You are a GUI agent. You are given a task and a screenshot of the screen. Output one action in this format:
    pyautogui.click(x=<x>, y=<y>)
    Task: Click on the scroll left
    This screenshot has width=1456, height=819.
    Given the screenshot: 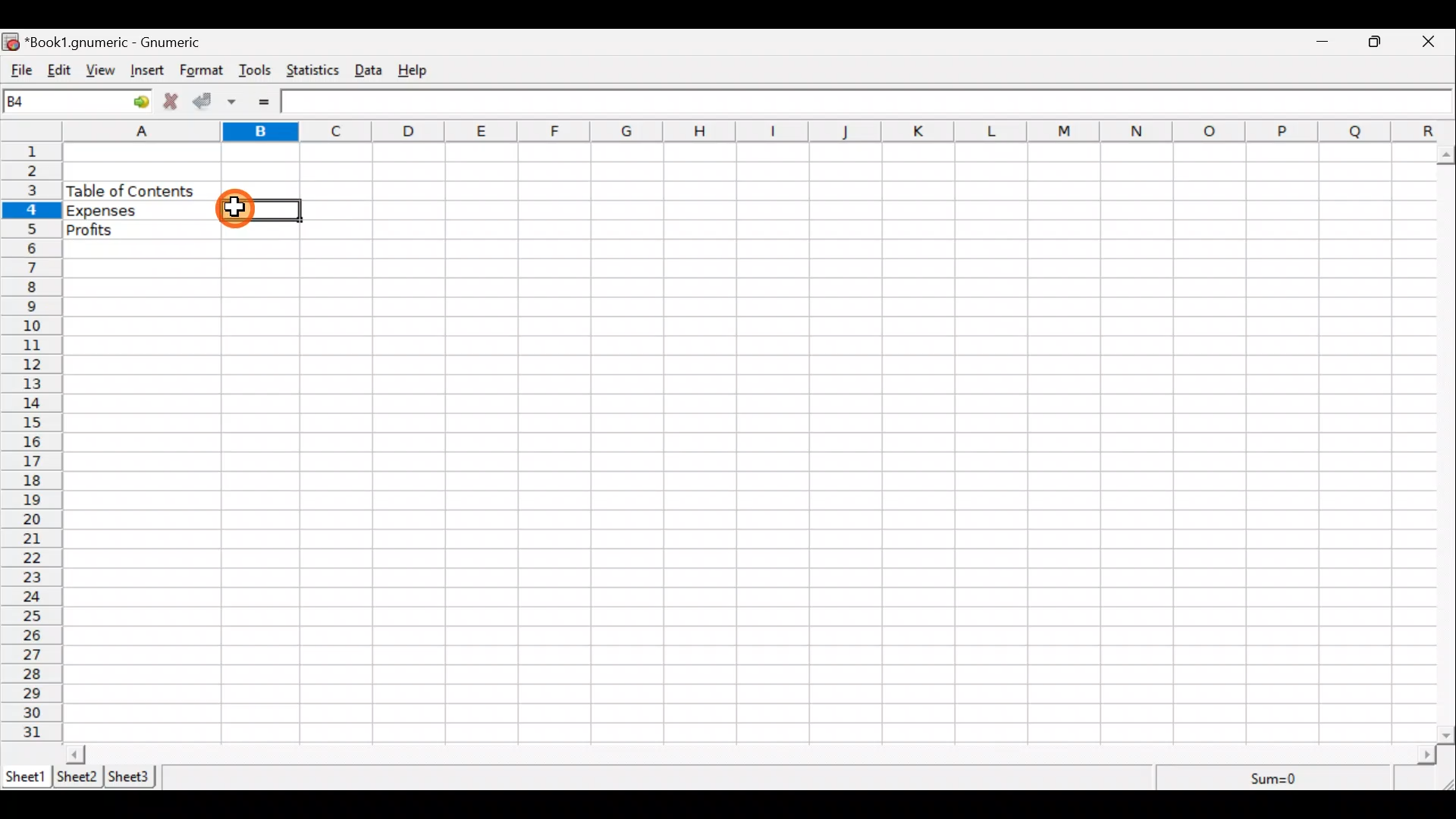 What is the action you would take?
    pyautogui.click(x=75, y=754)
    